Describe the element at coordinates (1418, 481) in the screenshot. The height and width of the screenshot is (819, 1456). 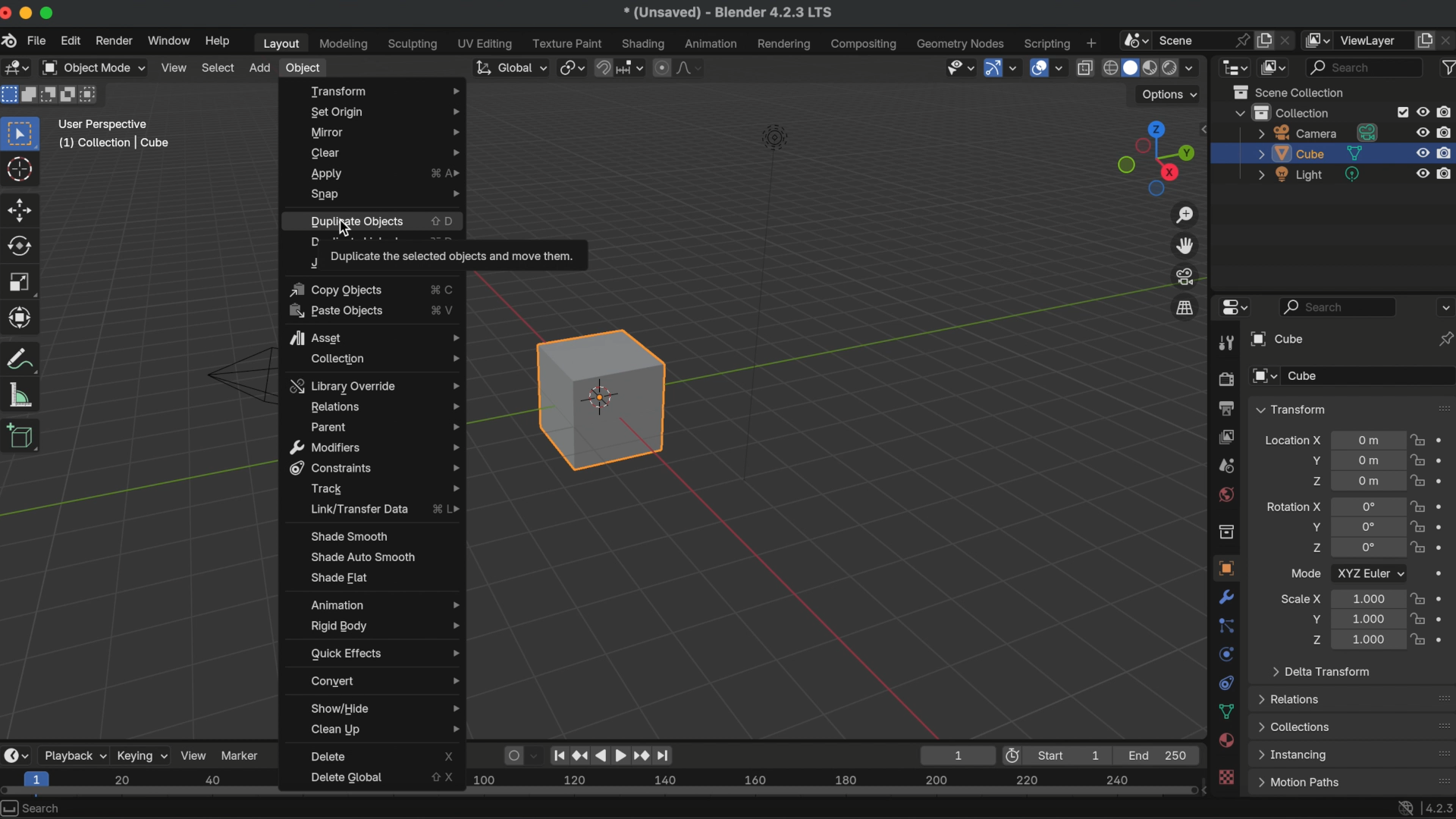
I see `lock location` at that location.